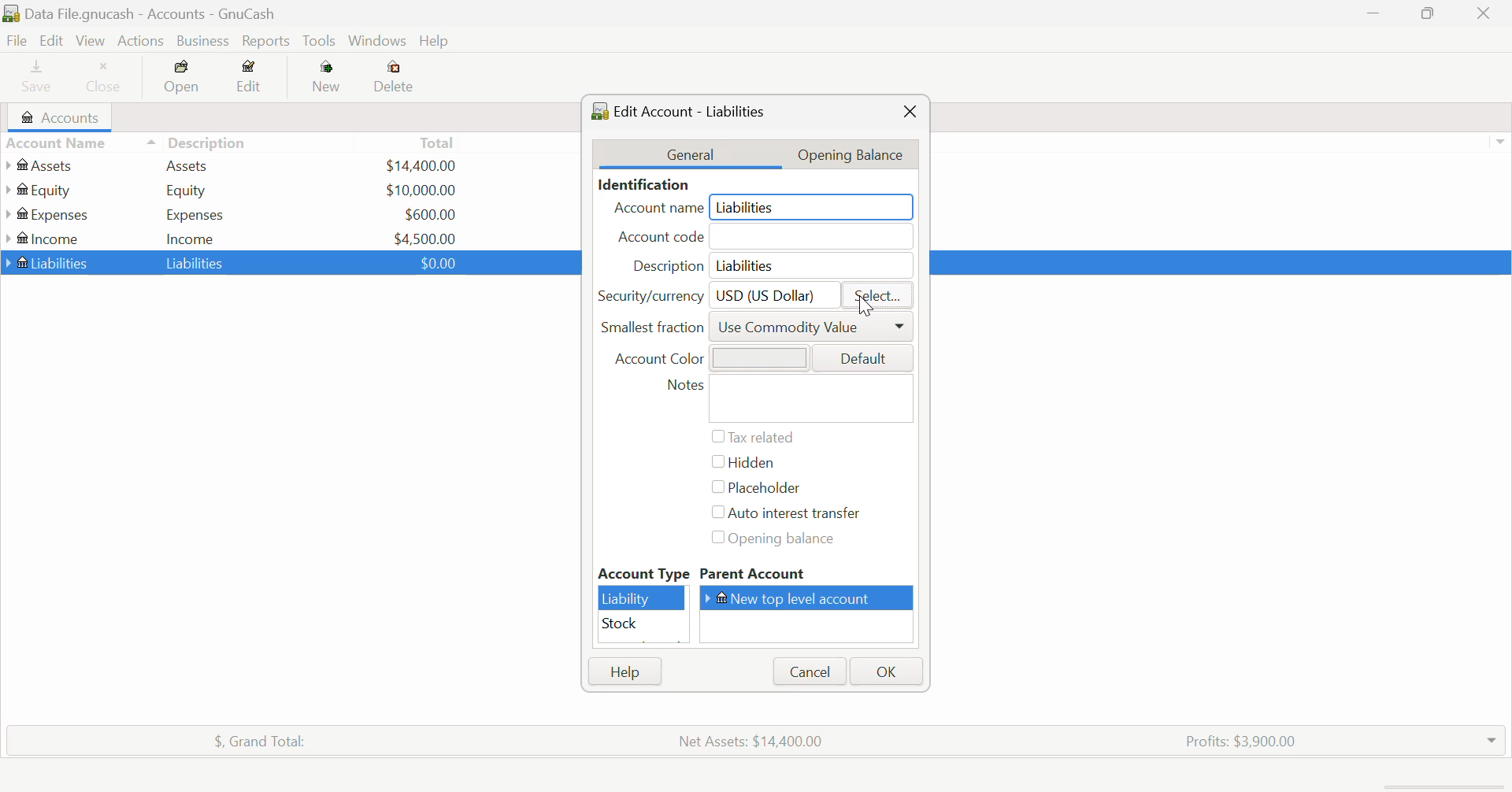 The width and height of the screenshot is (1512, 792). Describe the element at coordinates (756, 357) in the screenshot. I see `Account Color` at that location.